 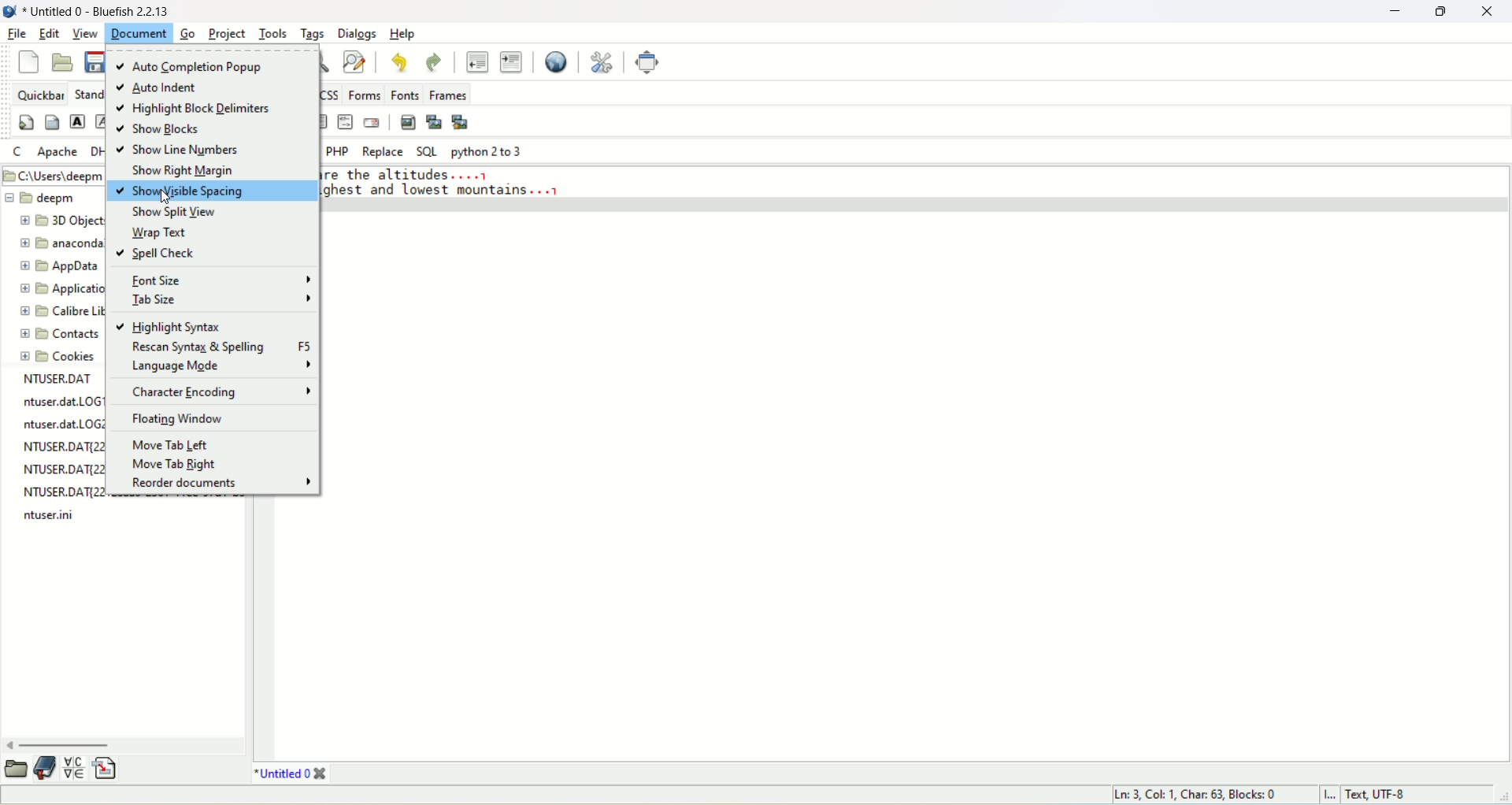 What do you see at coordinates (402, 32) in the screenshot?
I see `help` at bounding box center [402, 32].